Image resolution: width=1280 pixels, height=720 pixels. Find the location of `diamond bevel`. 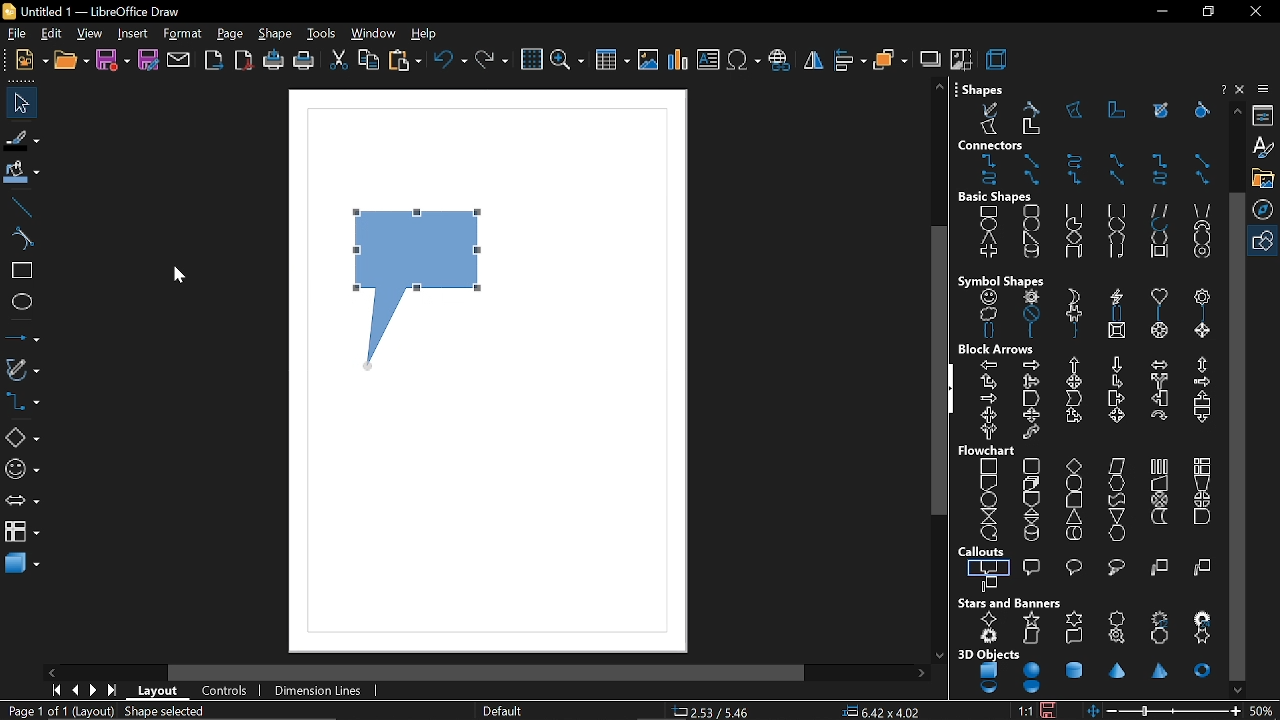

diamond bevel is located at coordinates (1201, 332).